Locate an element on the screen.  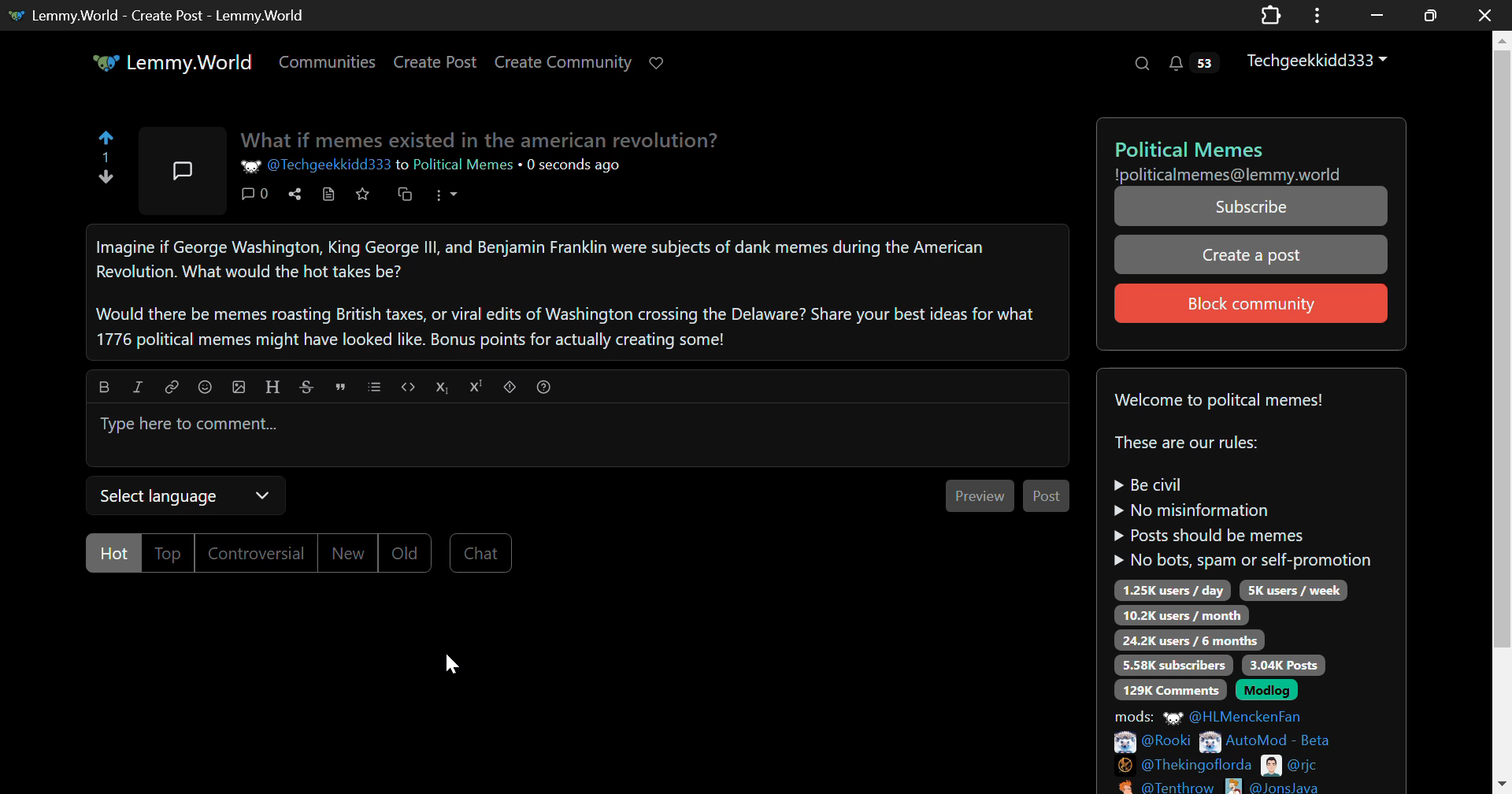
Hot Comment Filter Selected is located at coordinates (113, 551).